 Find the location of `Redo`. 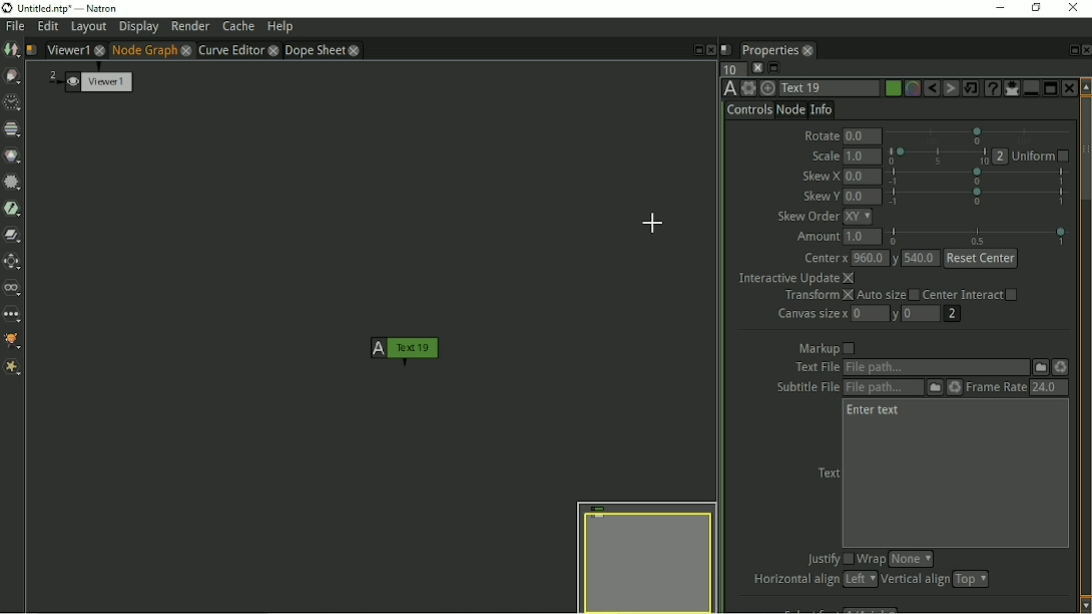

Redo is located at coordinates (951, 88).